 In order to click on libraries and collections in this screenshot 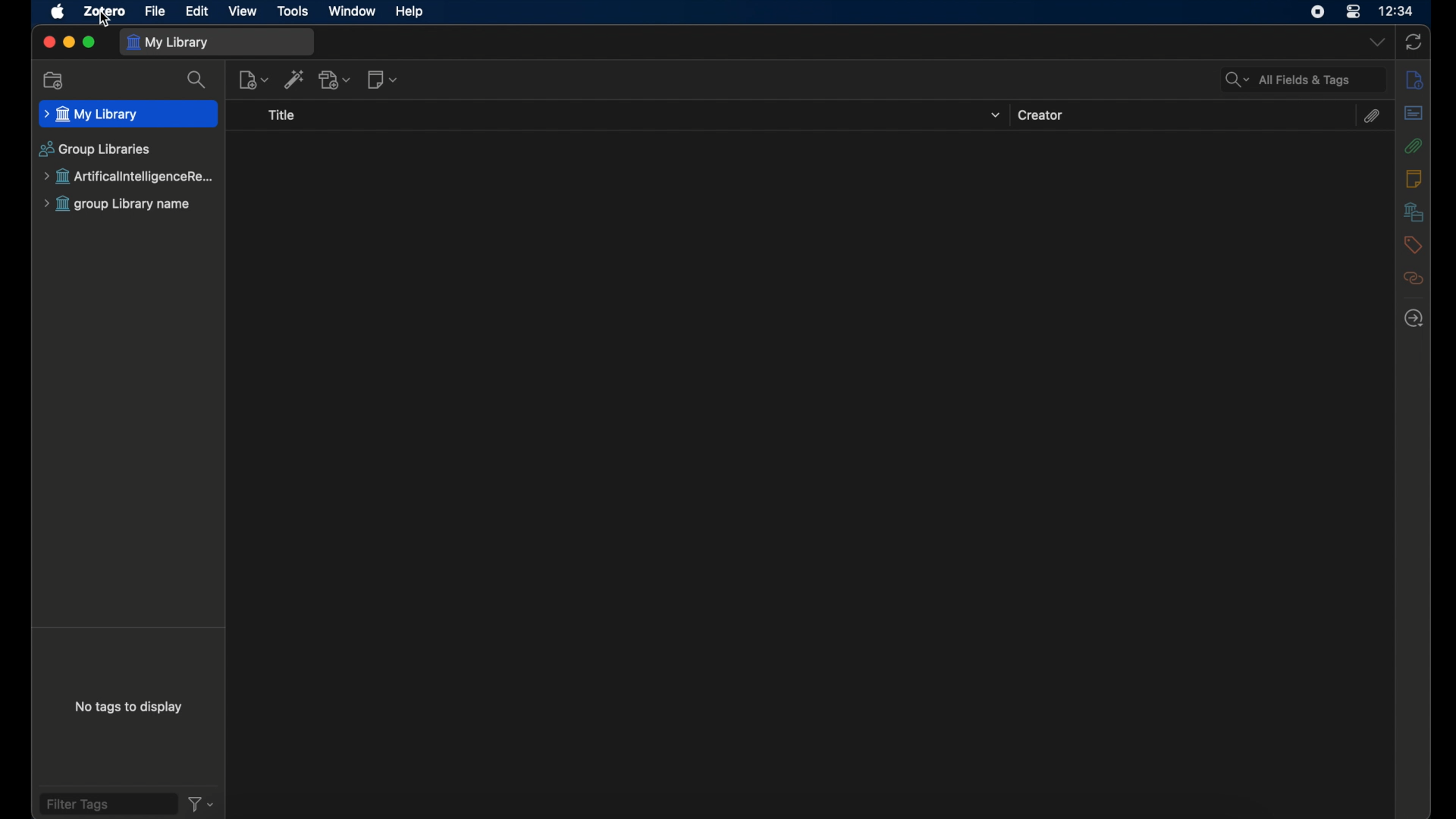, I will do `click(1412, 212)`.